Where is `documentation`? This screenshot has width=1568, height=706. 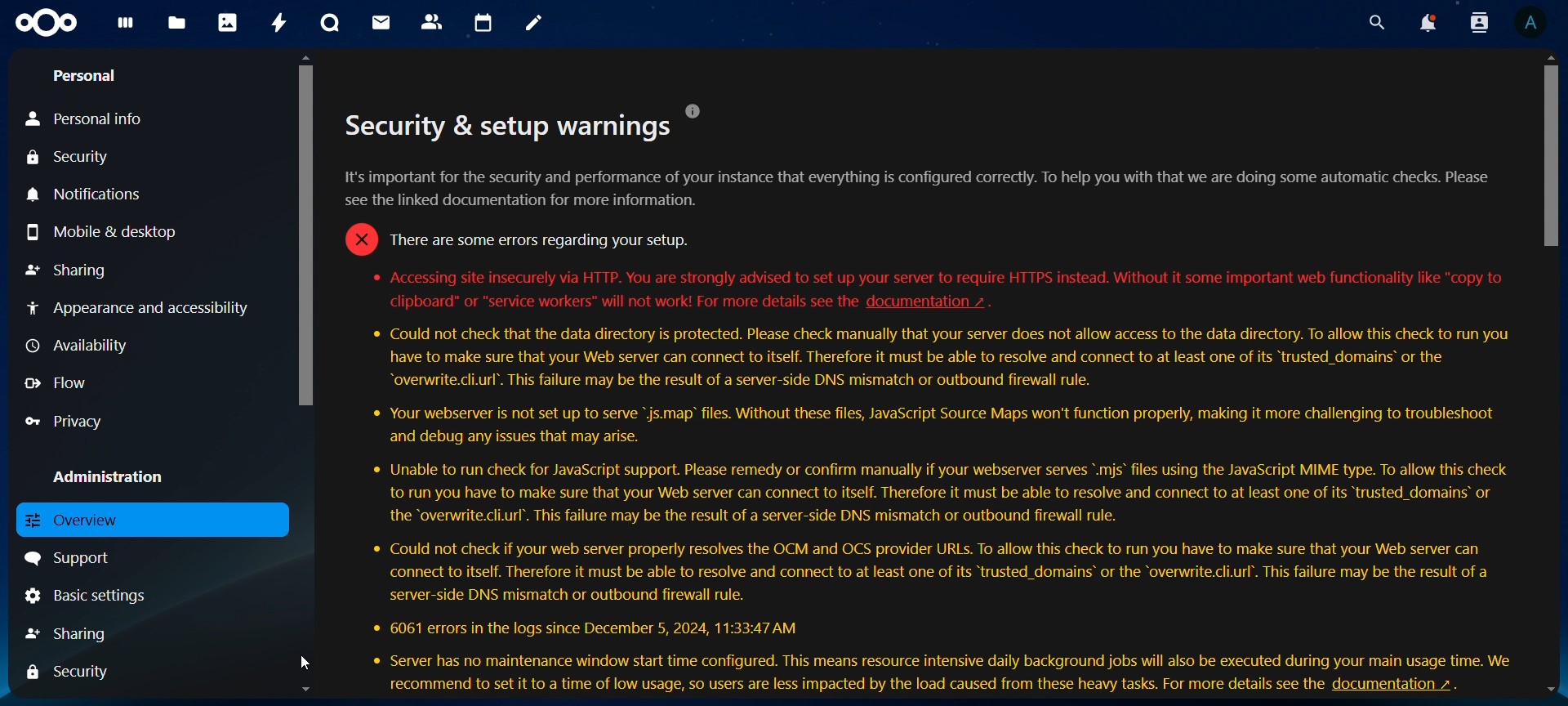
documentation is located at coordinates (939, 304).